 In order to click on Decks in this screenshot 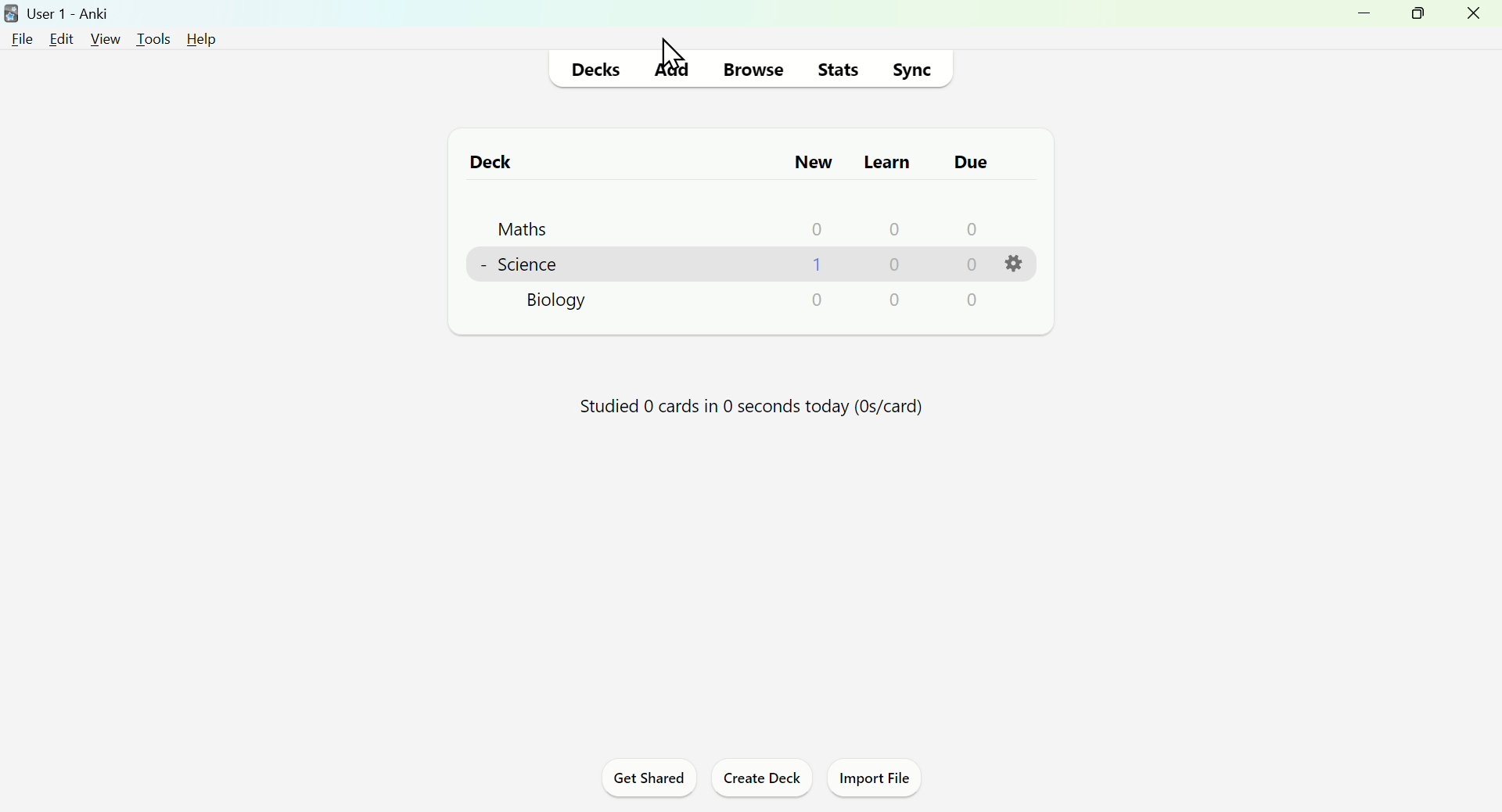, I will do `click(596, 70)`.